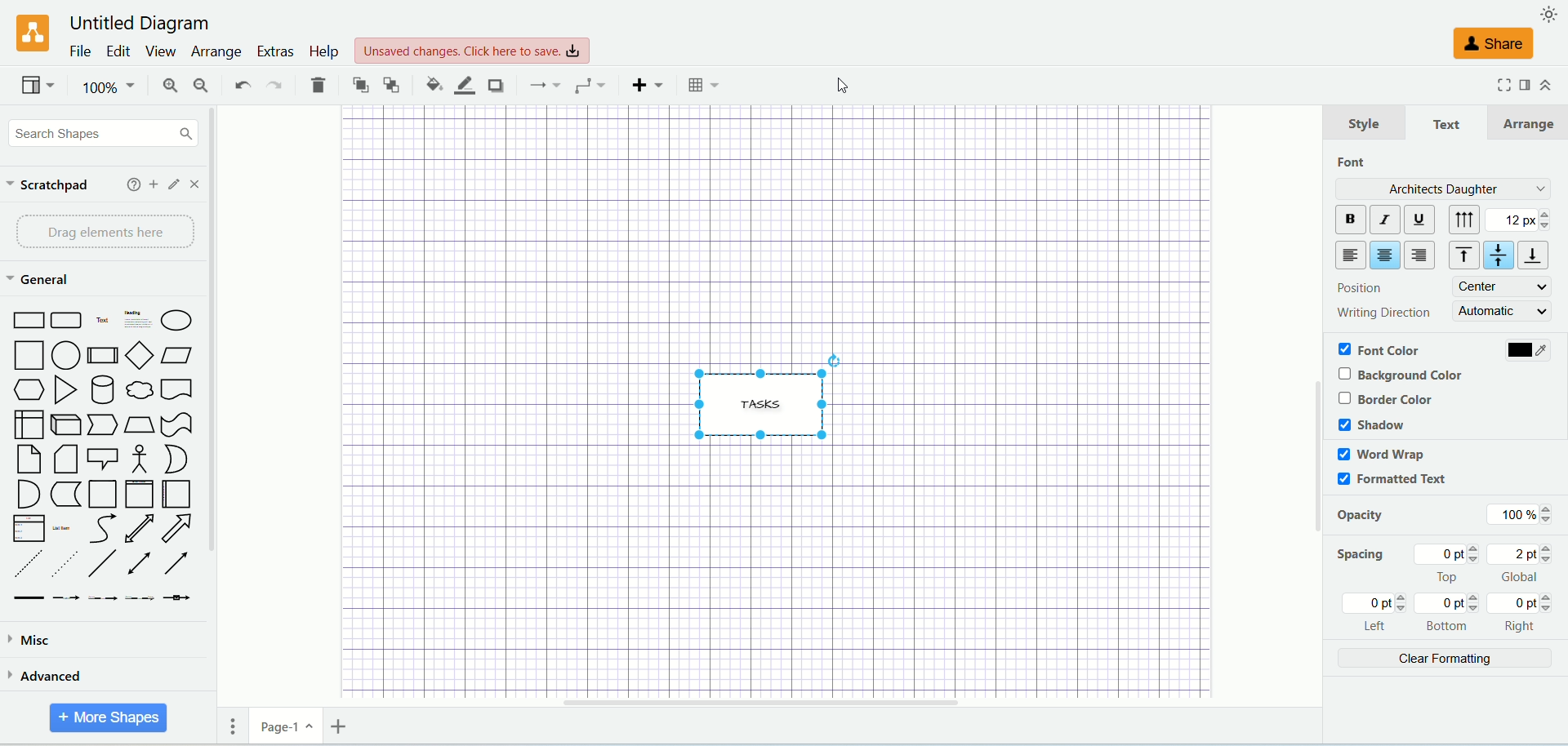 Image resolution: width=1568 pixels, height=746 pixels. Describe the element at coordinates (109, 718) in the screenshot. I see `more shapes` at that location.